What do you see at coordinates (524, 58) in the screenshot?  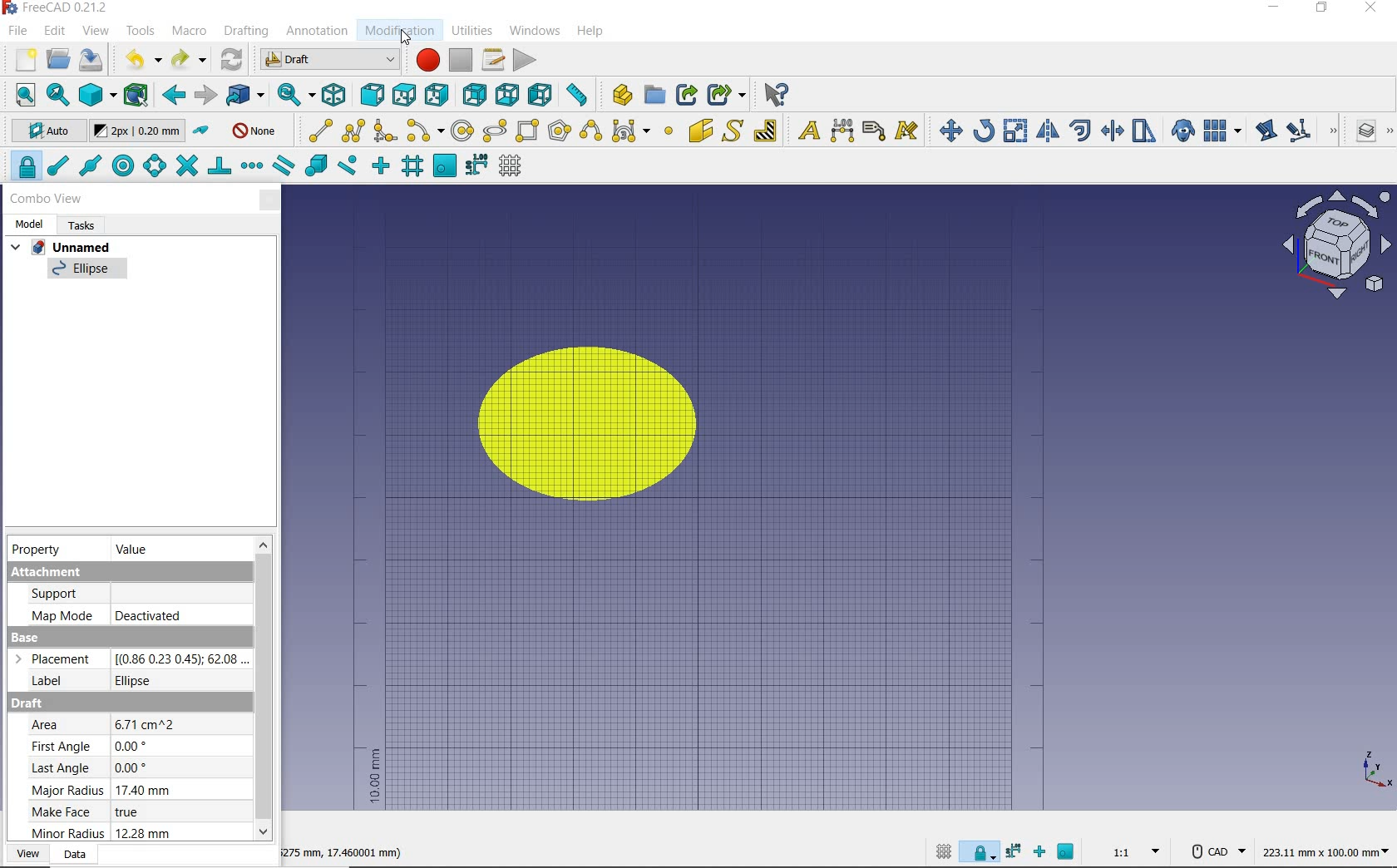 I see `execute macro` at bounding box center [524, 58].